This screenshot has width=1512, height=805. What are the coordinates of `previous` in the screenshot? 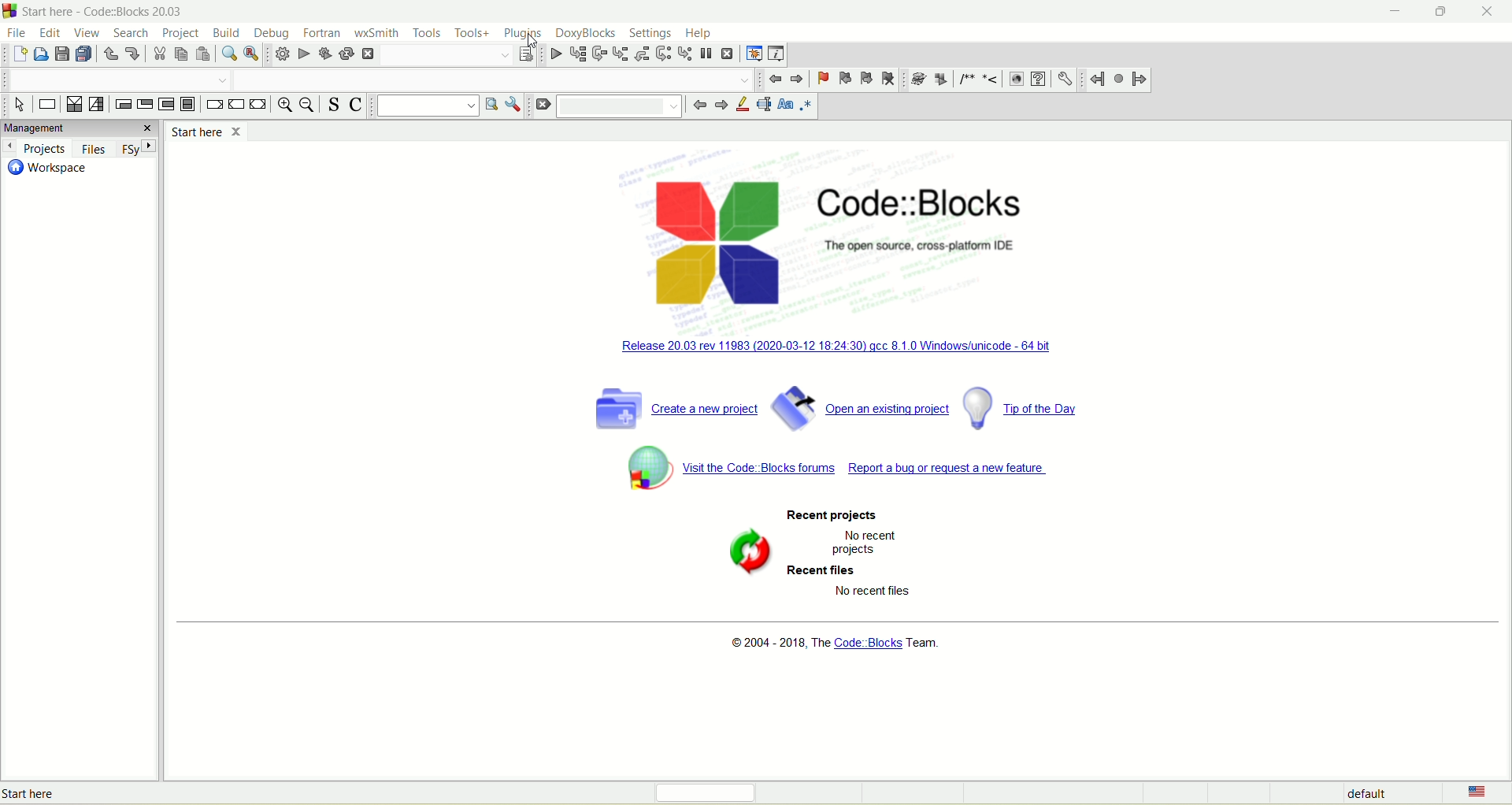 It's located at (776, 80).